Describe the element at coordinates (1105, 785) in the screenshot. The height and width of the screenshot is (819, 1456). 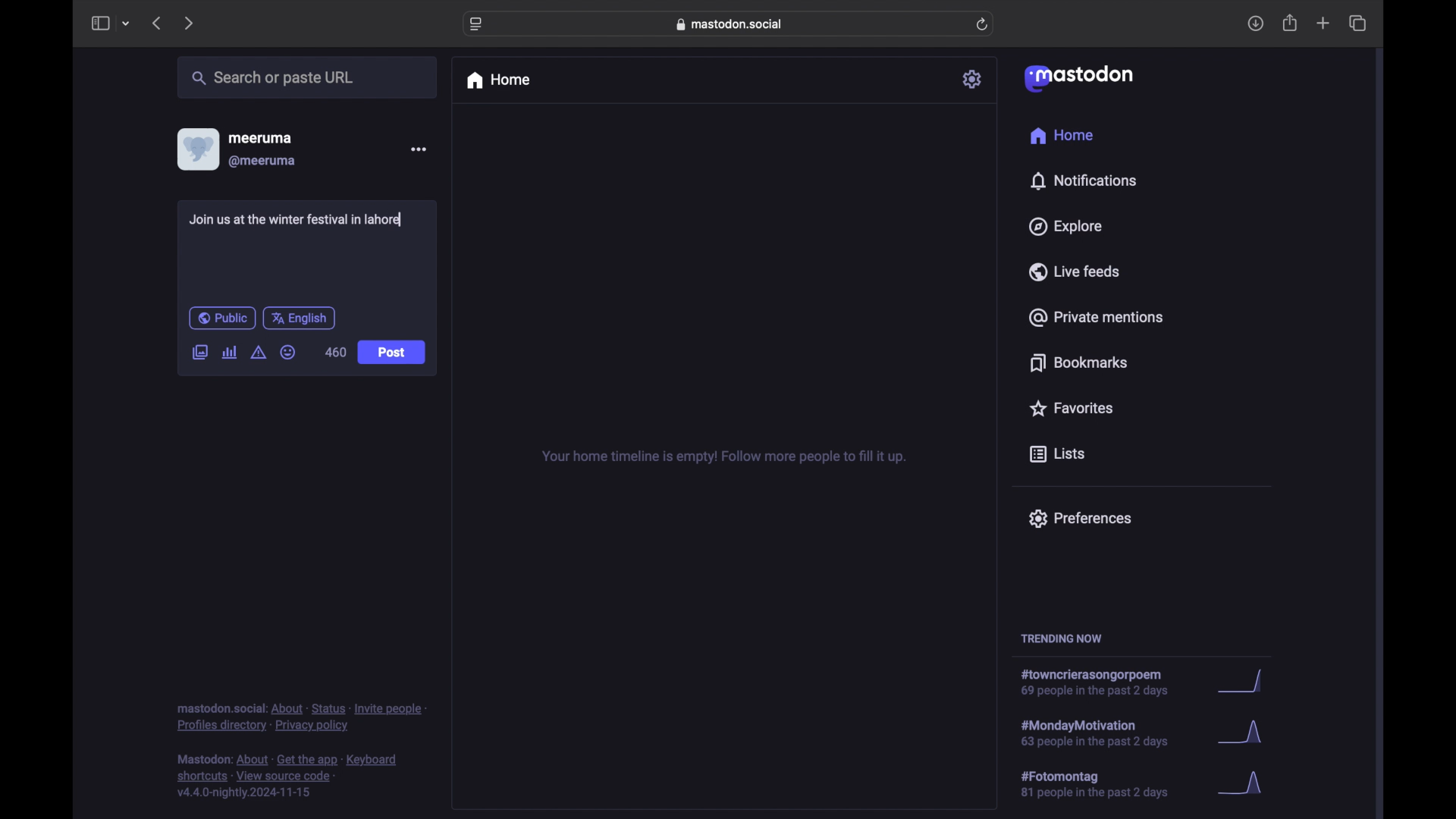
I see `hashtag trend` at that location.